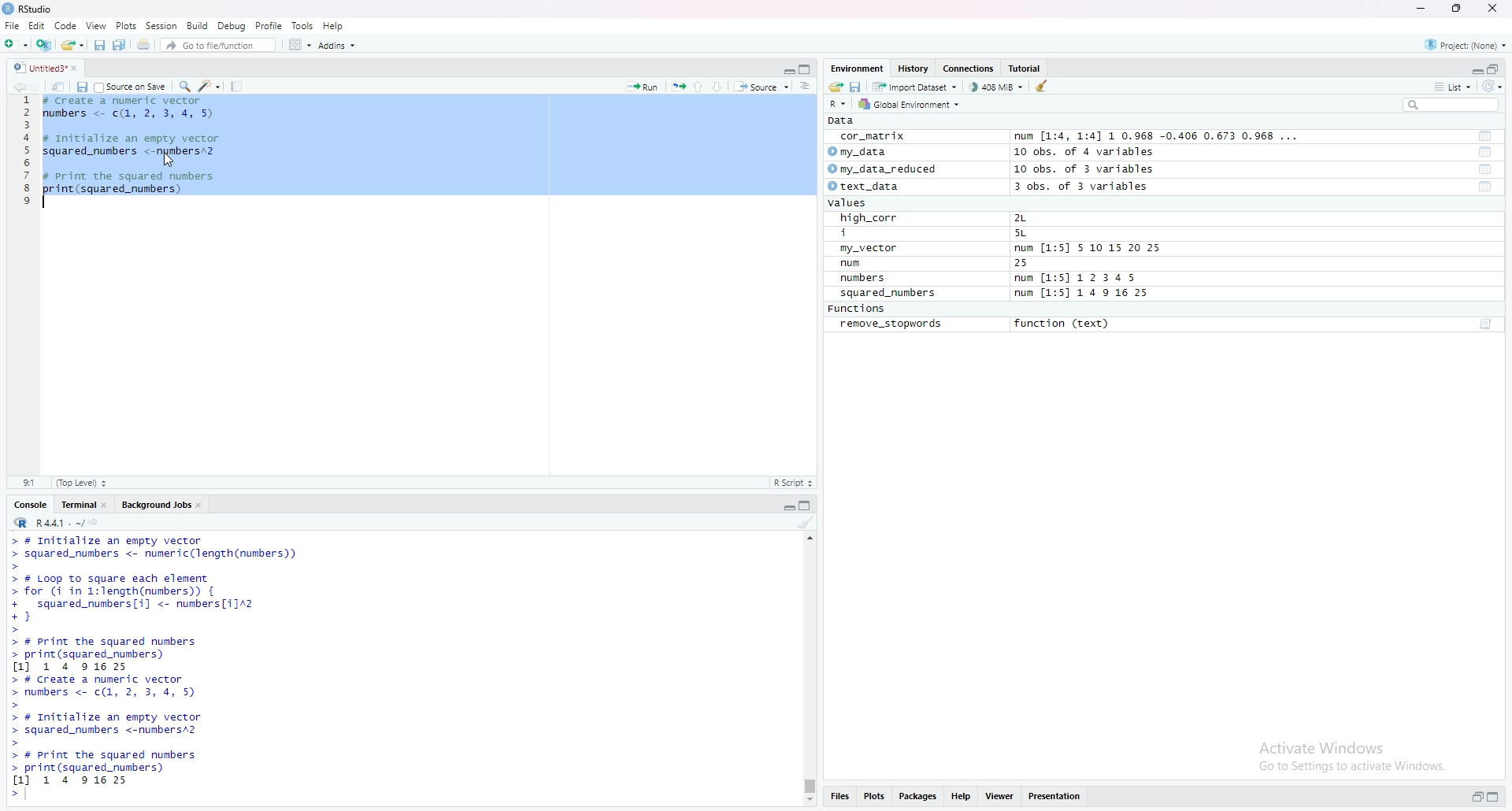 This screenshot has width=1512, height=811. Describe the element at coordinates (914, 86) in the screenshot. I see `Import Dataset` at that location.